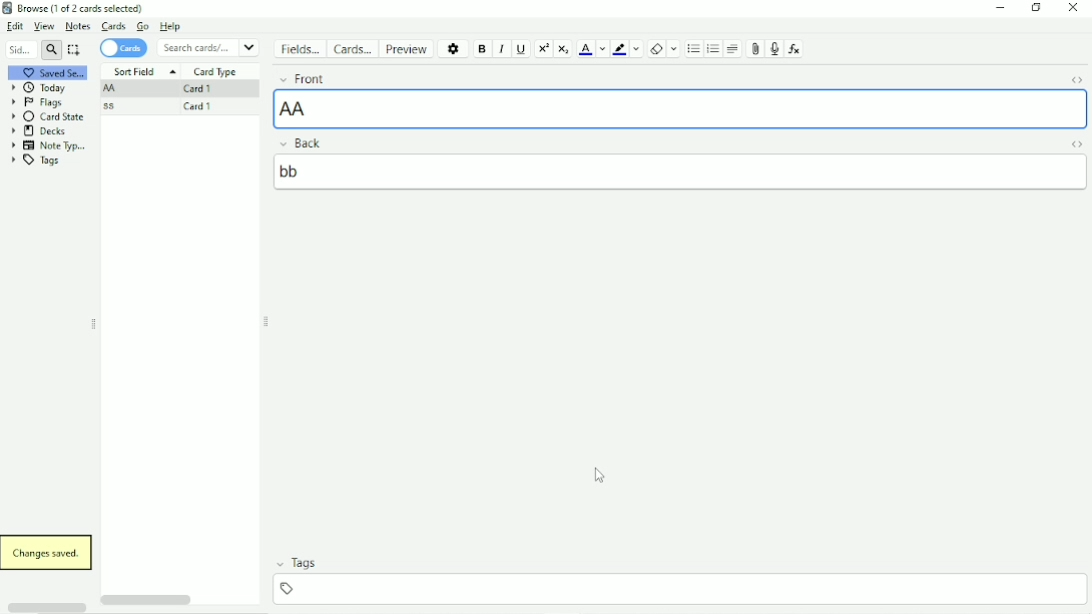 Image resolution: width=1092 pixels, height=614 pixels. What do you see at coordinates (93, 324) in the screenshot?
I see `Resize` at bounding box center [93, 324].